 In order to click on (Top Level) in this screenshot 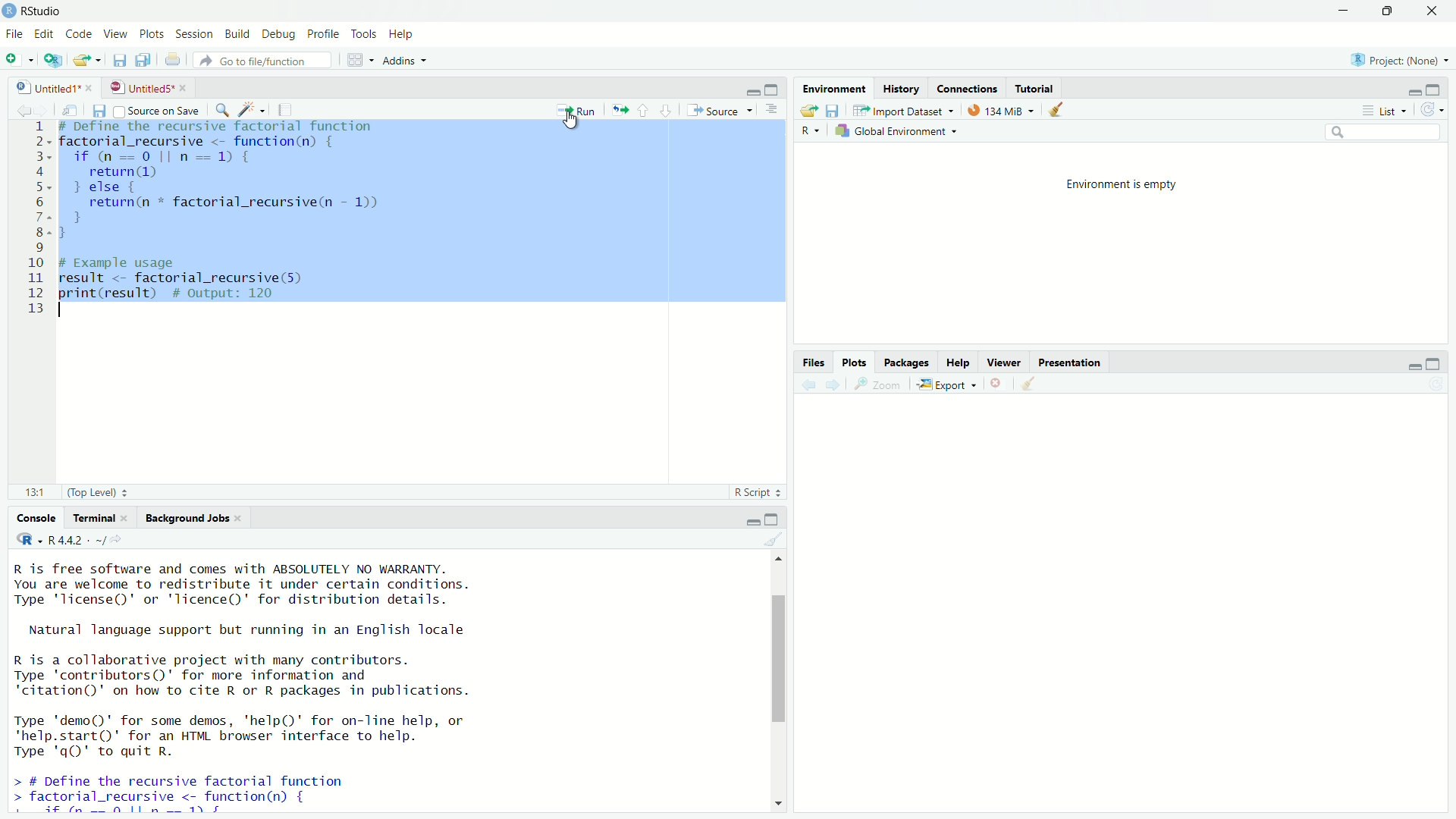, I will do `click(99, 492)`.